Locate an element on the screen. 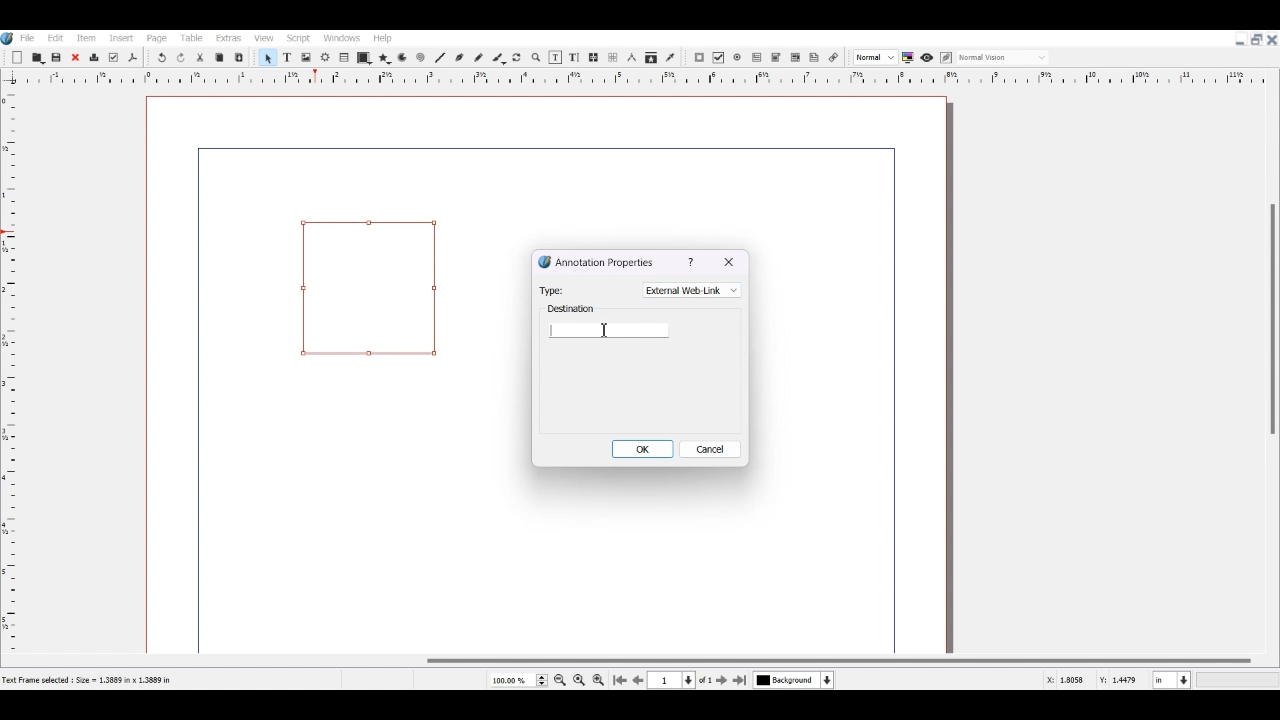 The width and height of the screenshot is (1280, 720). OK is located at coordinates (644, 448).